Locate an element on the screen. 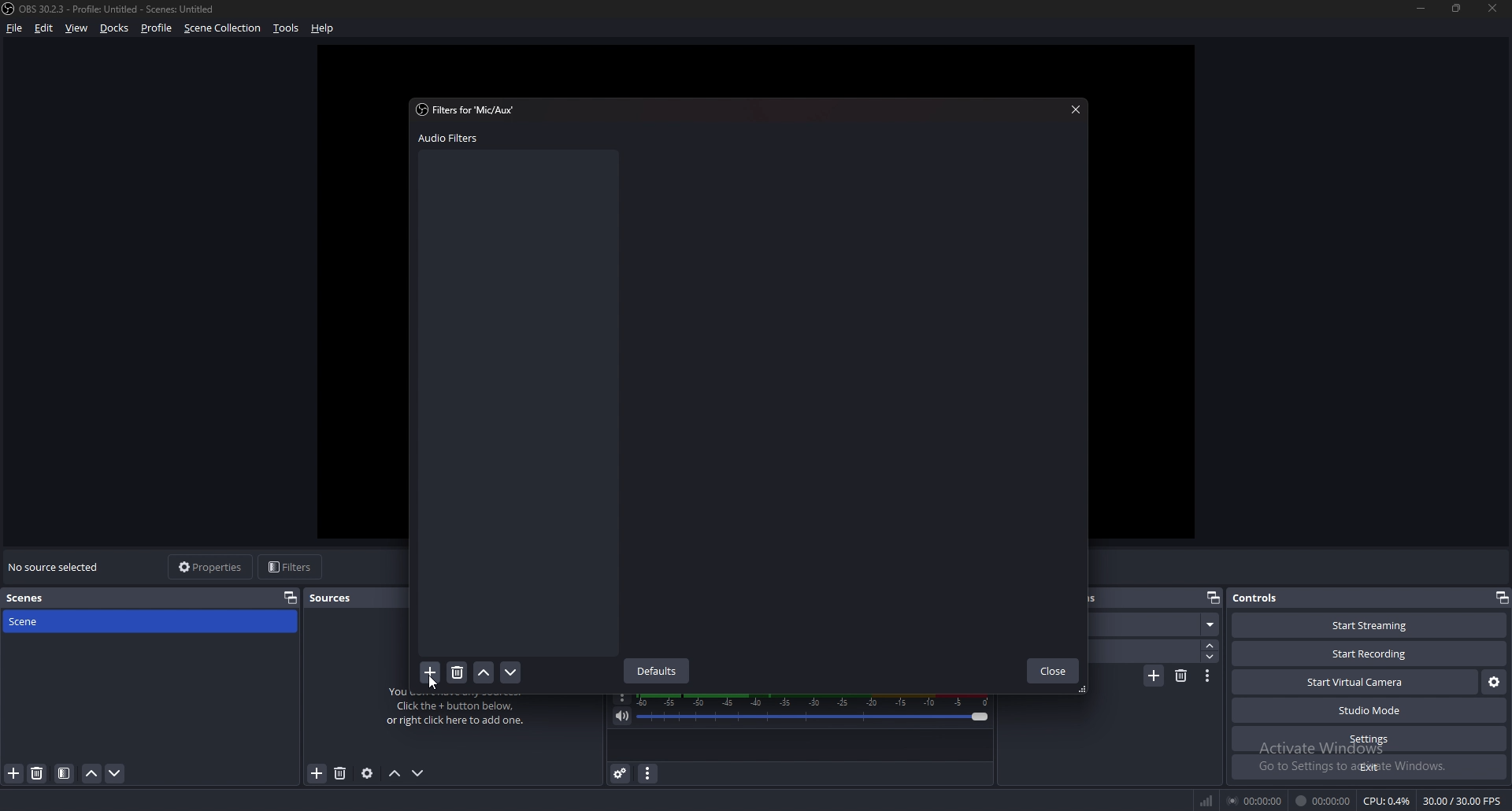  audio filters is located at coordinates (454, 139).